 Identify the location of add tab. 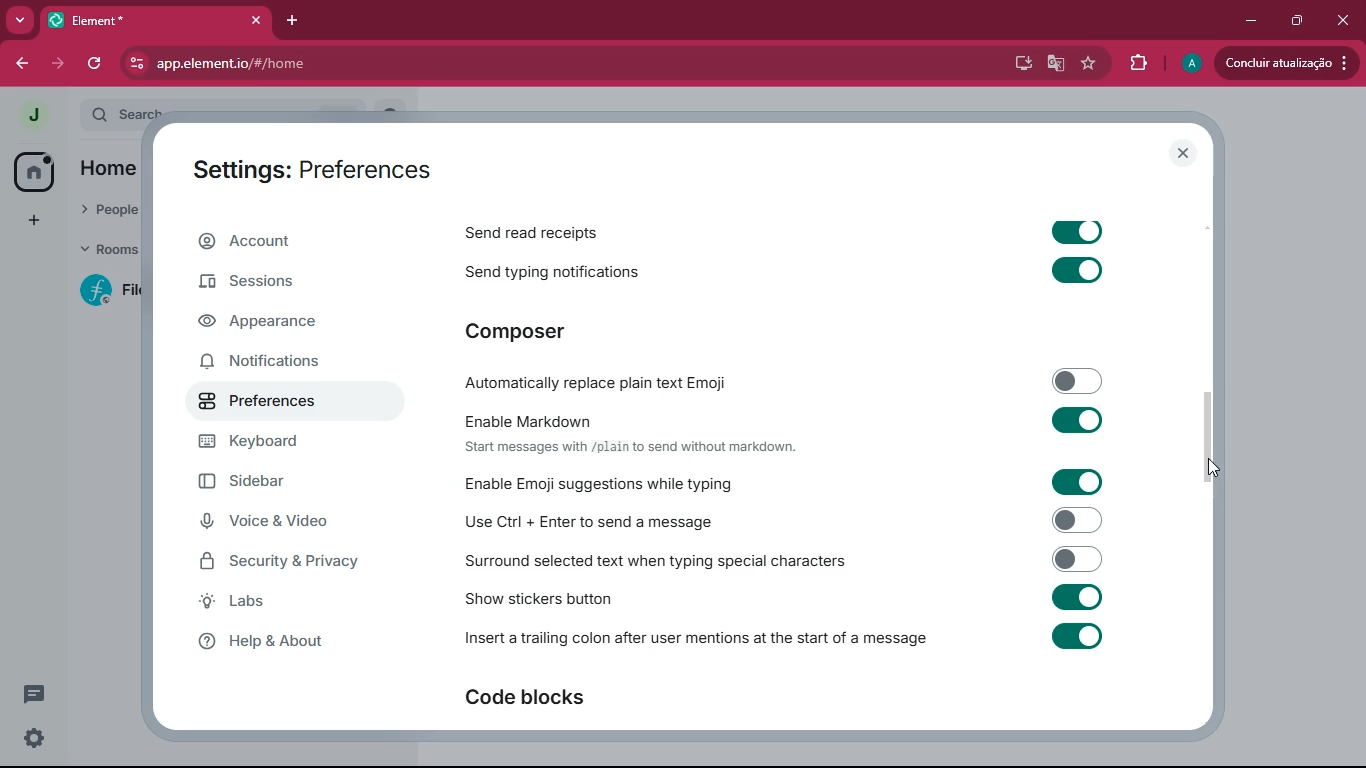
(295, 20).